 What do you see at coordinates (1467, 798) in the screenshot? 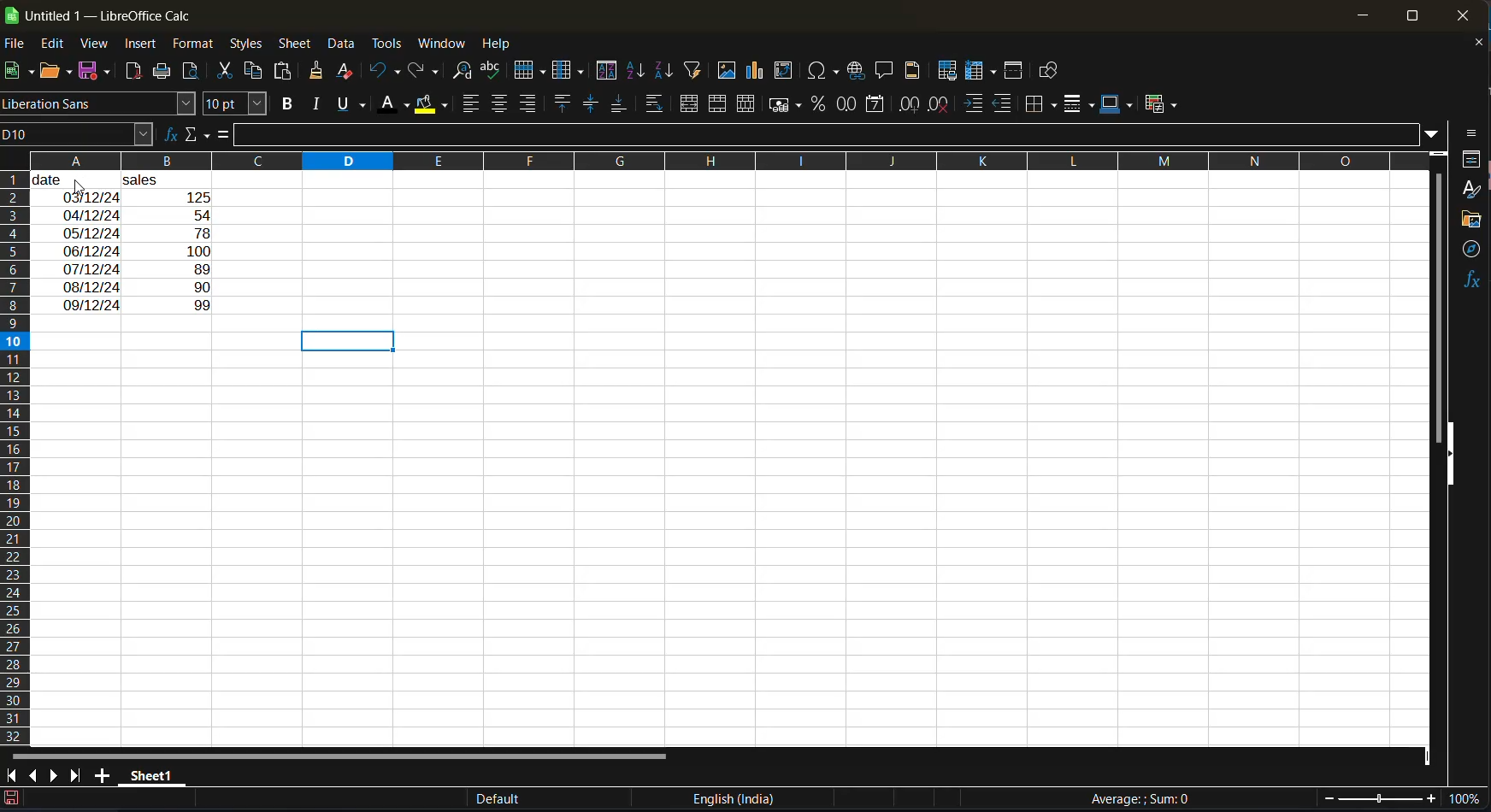
I see `zoom factor` at bounding box center [1467, 798].